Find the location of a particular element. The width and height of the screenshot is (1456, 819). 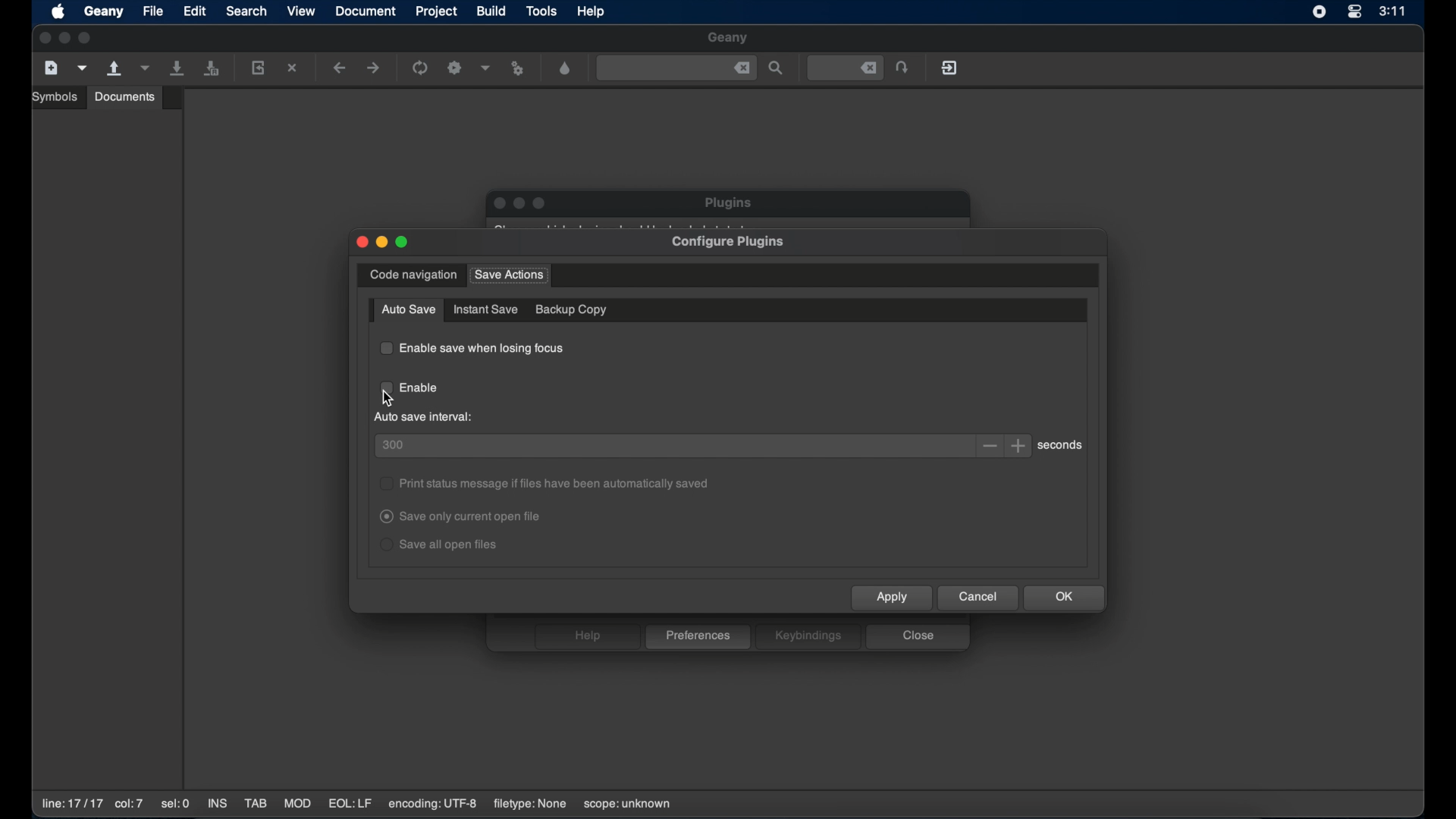

create a new file is located at coordinates (52, 68).